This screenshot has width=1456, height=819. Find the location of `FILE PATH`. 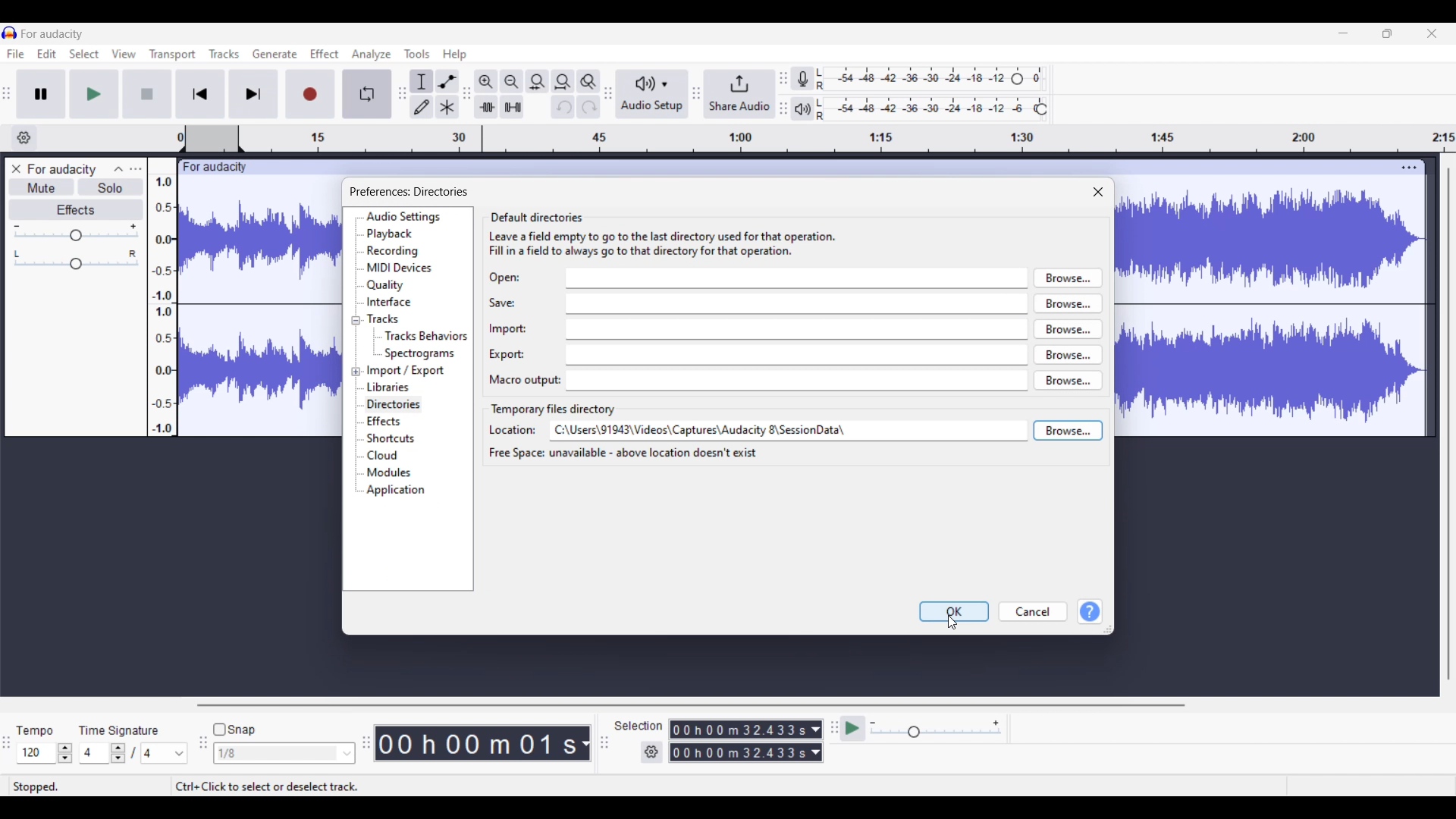

FILE PATH is located at coordinates (698, 429).